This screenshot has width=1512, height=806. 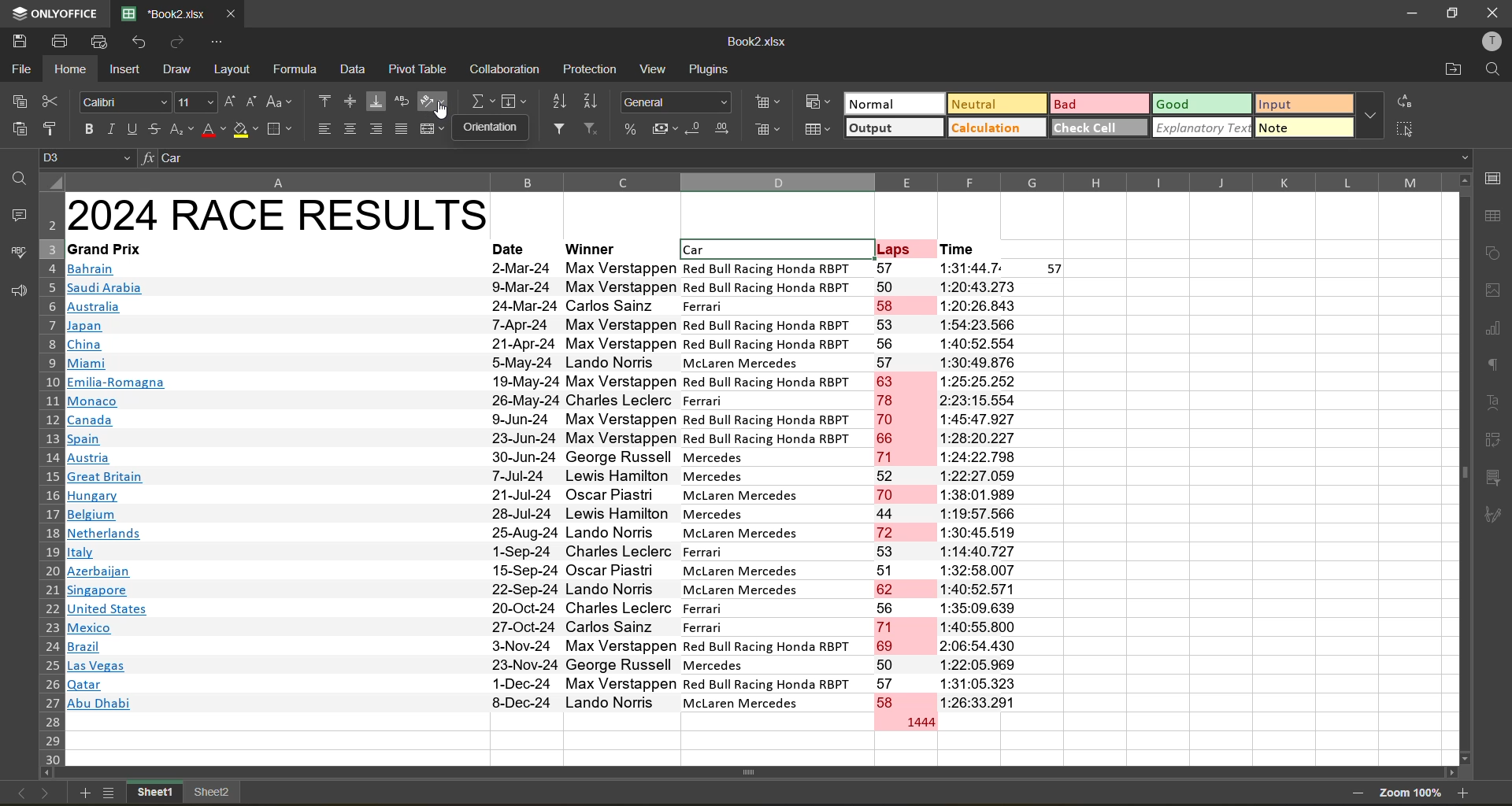 I want to click on remove cells, so click(x=770, y=134).